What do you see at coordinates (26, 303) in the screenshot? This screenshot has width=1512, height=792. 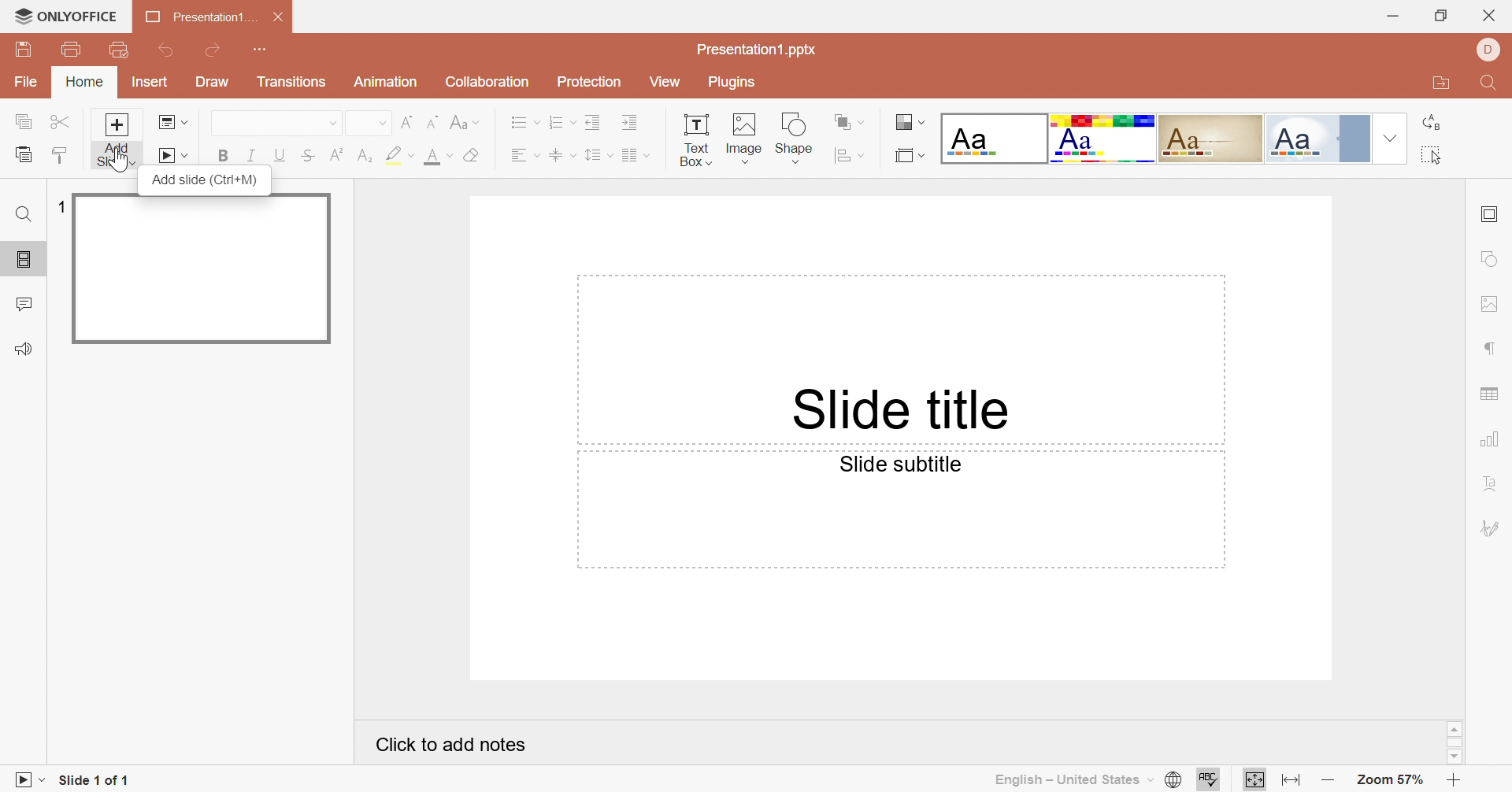 I see `Comments` at bounding box center [26, 303].